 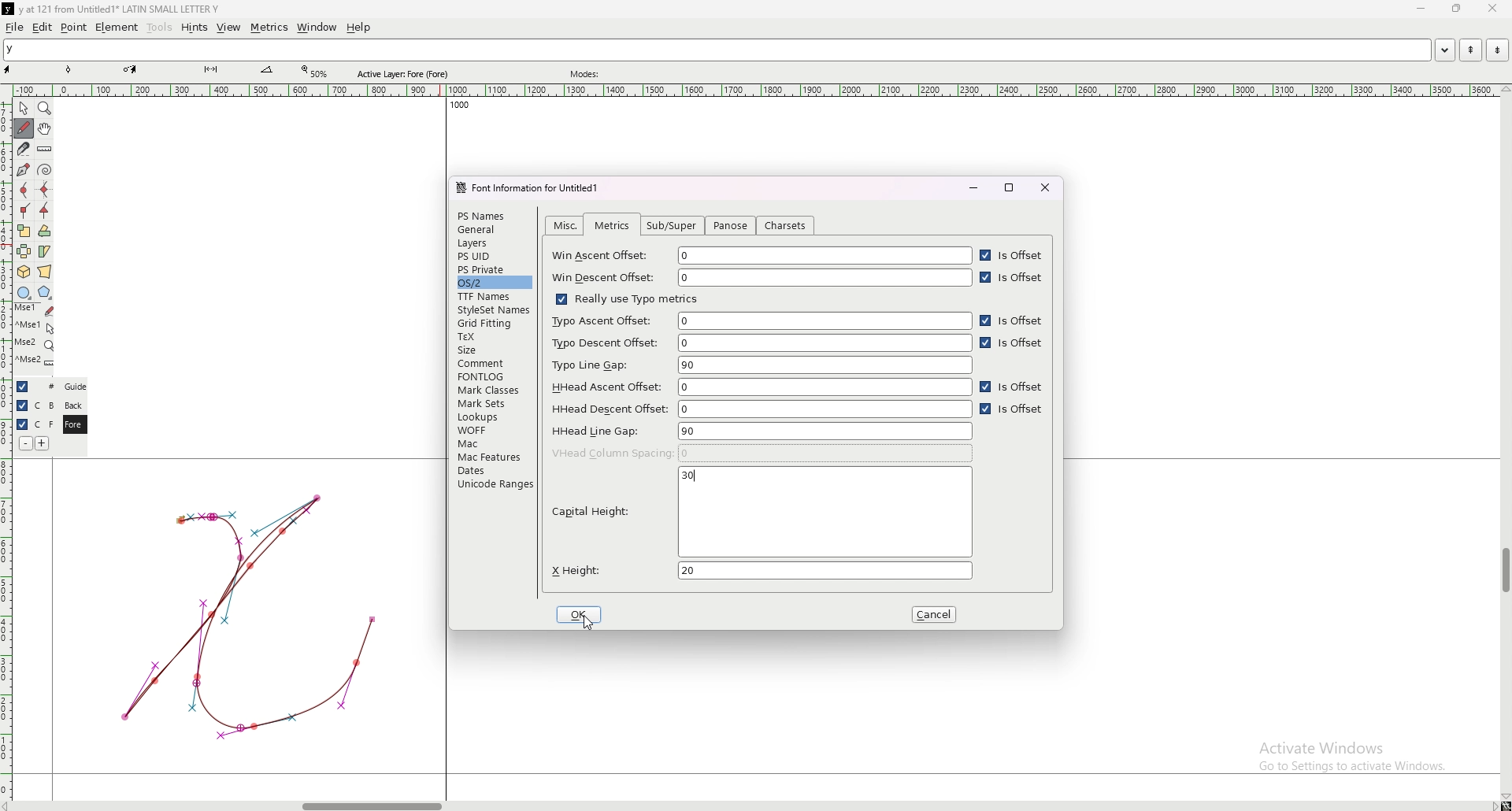 I want to click on grid fitting, so click(x=491, y=324).